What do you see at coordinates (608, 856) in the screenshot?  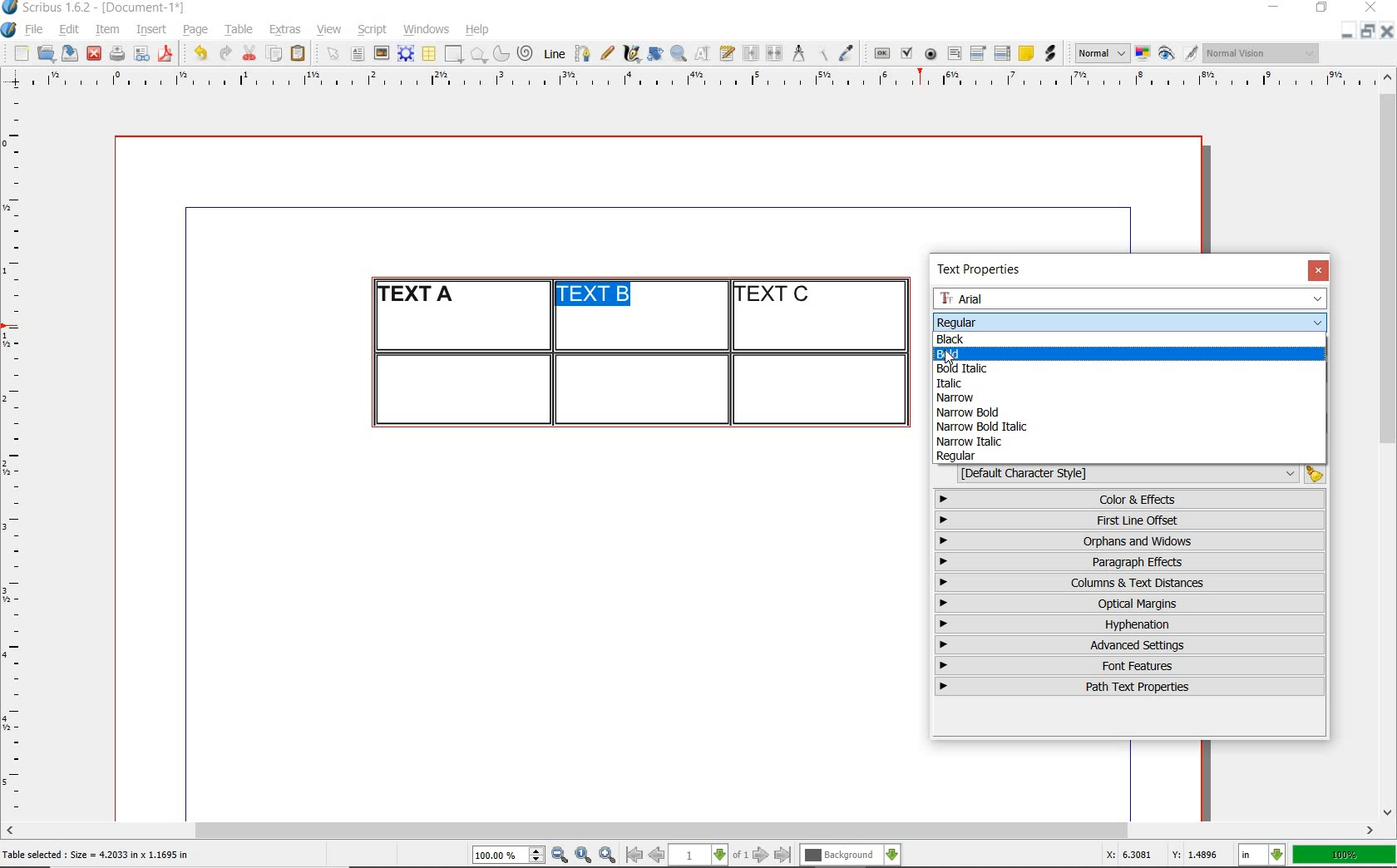 I see `zoom in` at bounding box center [608, 856].